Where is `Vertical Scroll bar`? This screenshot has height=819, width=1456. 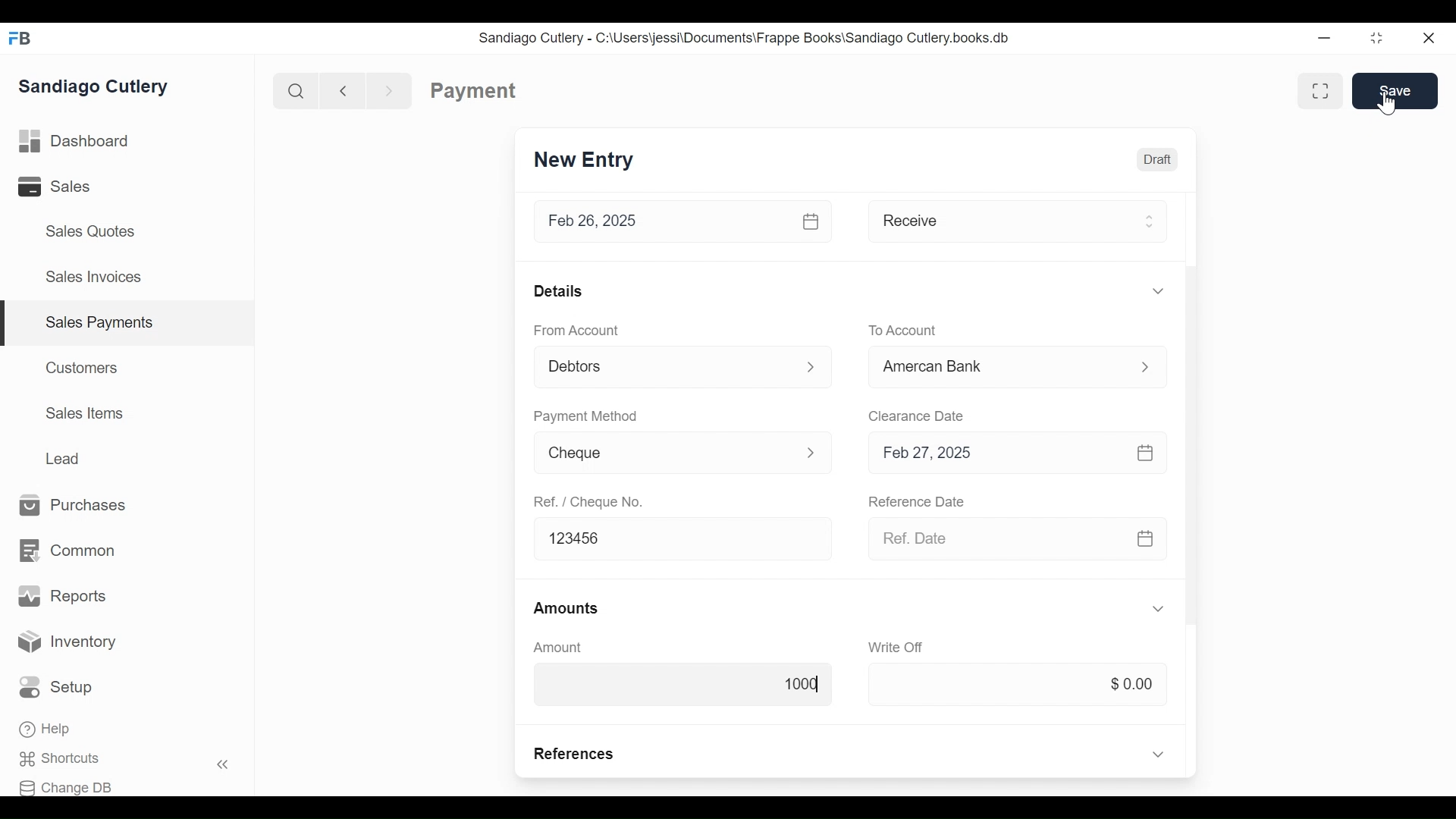
Vertical Scroll bar is located at coordinates (1189, 444).